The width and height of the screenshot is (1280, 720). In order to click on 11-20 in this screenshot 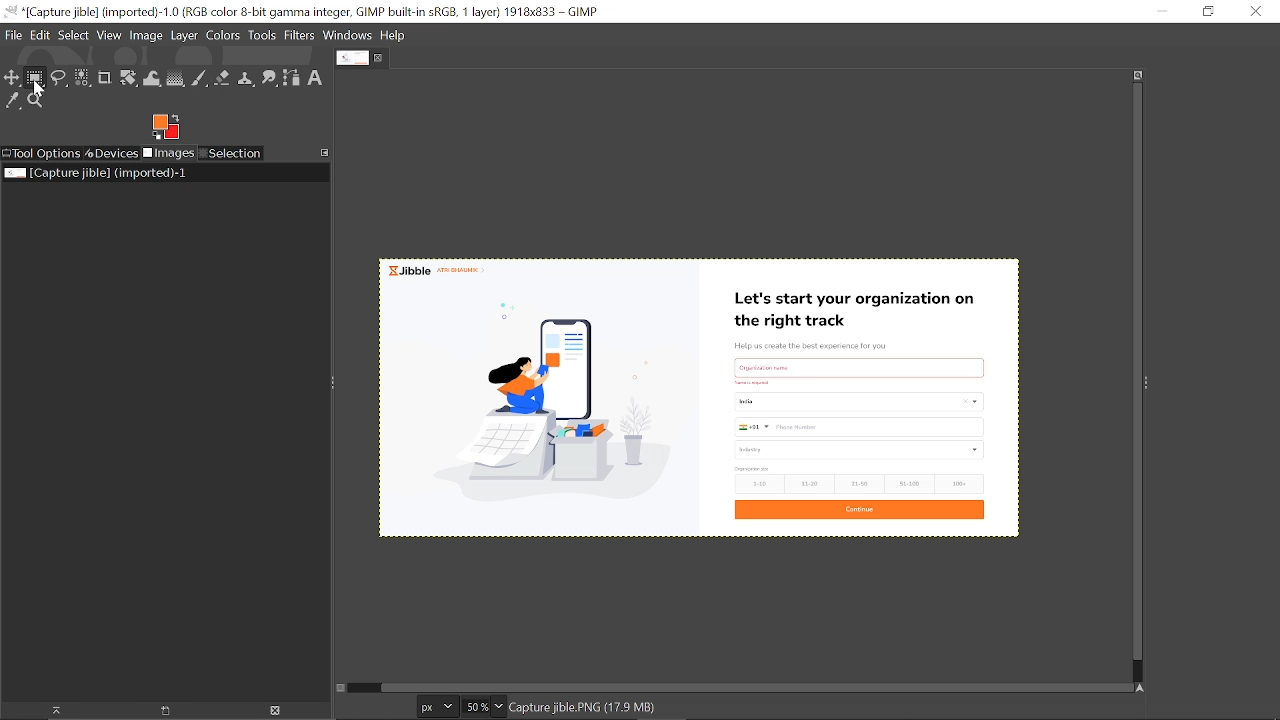, I will do `click(808, 484)`.